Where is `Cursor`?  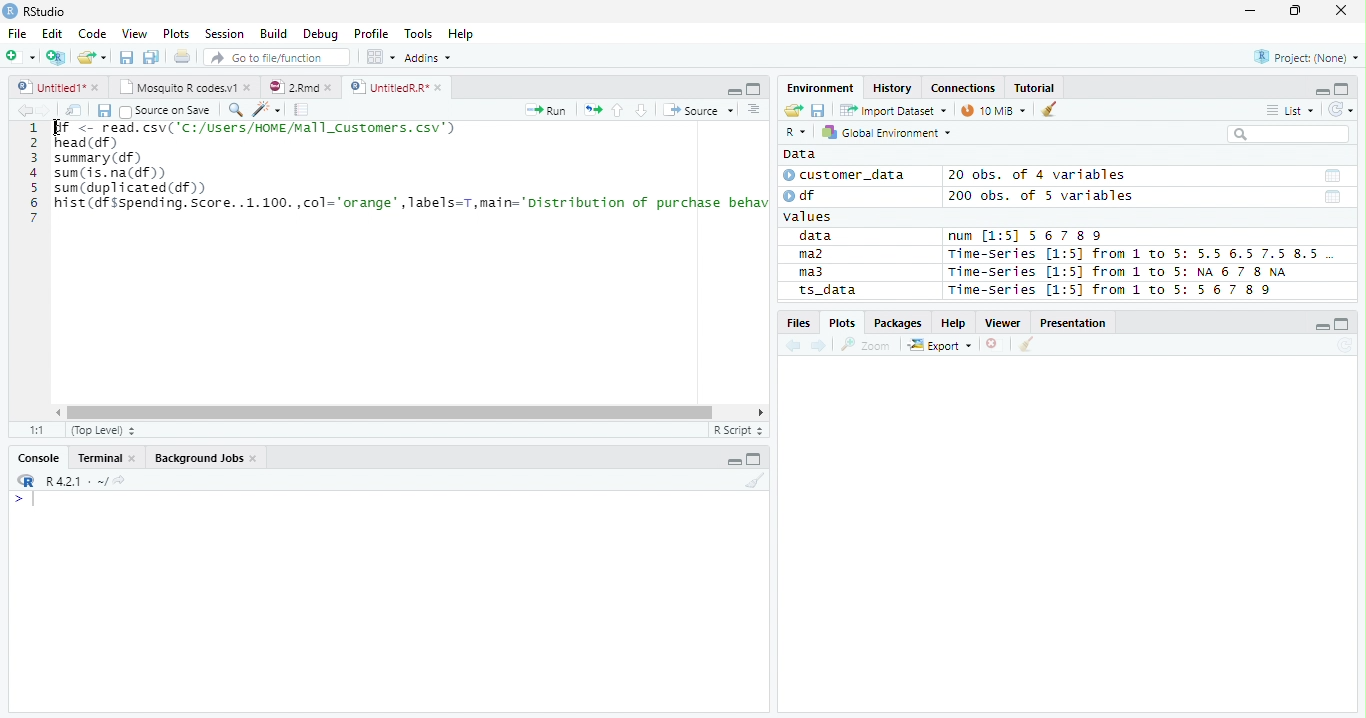 Cursor is located at coordinates (57, 129).